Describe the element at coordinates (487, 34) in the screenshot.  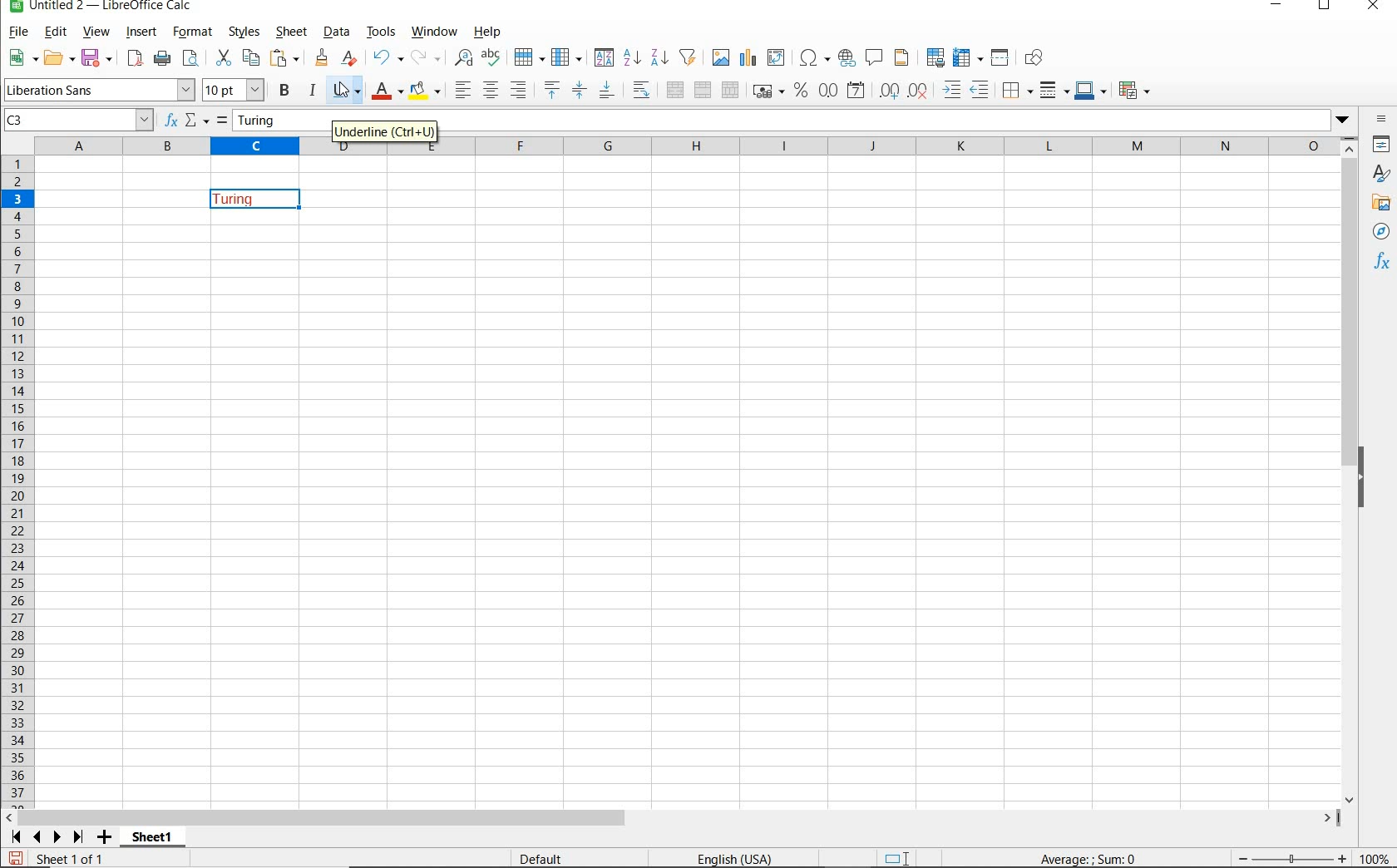
I see `HELP` at that location.